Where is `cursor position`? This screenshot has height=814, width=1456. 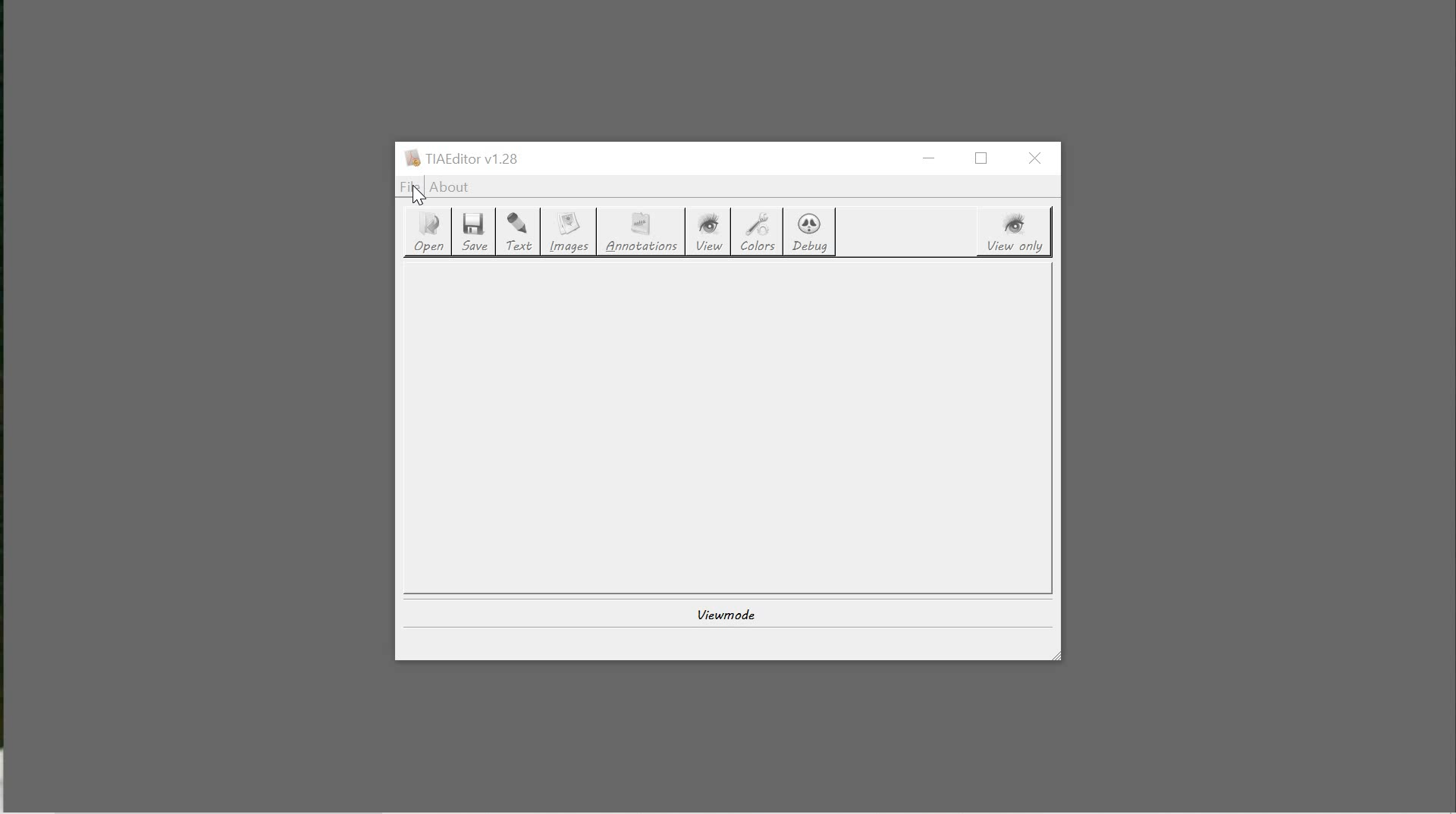
cursor position is located at coordinates (417, 191).